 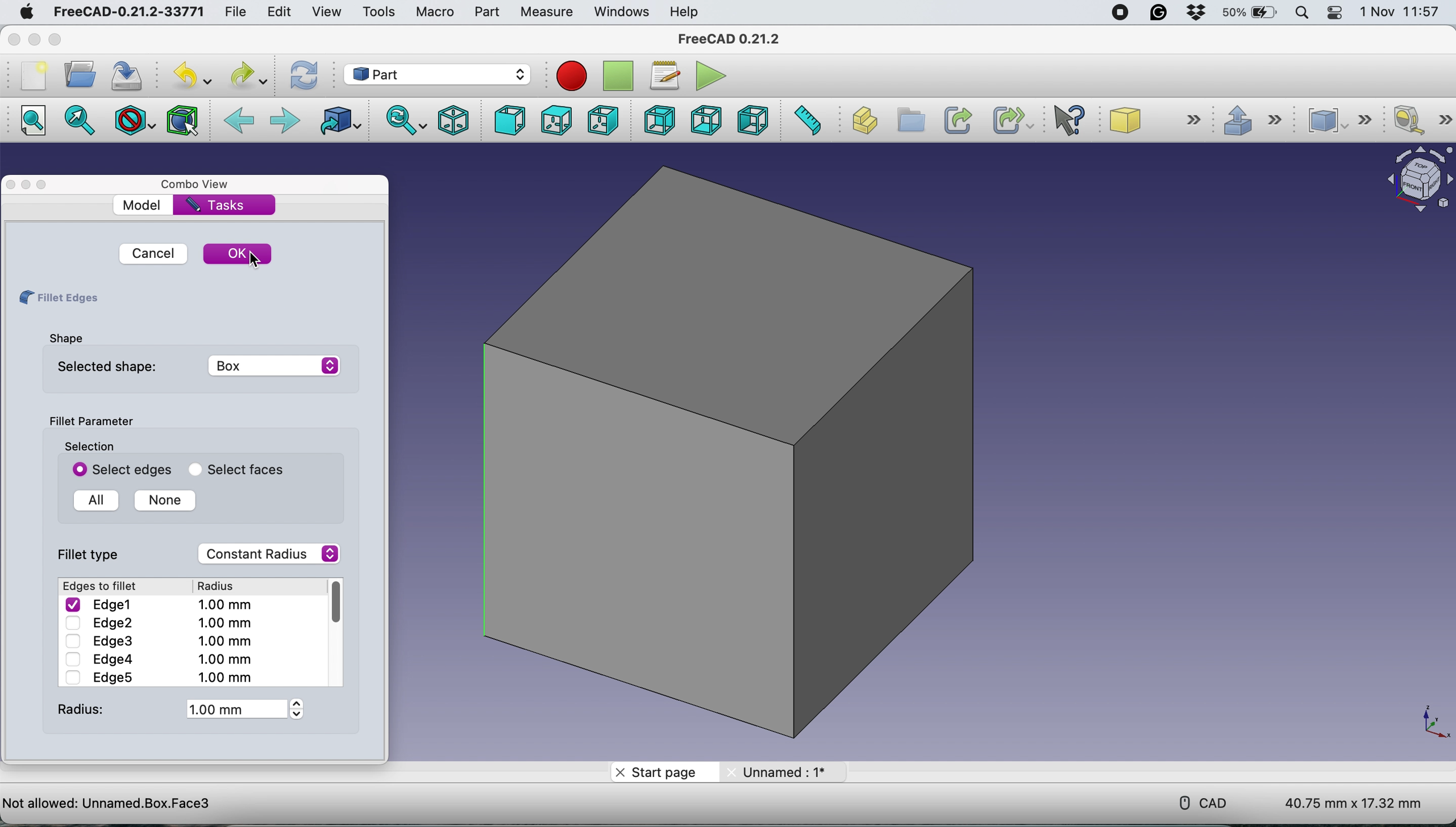 What do you see at coordinates (617, 76) in the screenshot?
I see `stop recording macros` at bounding box center [617, 76].